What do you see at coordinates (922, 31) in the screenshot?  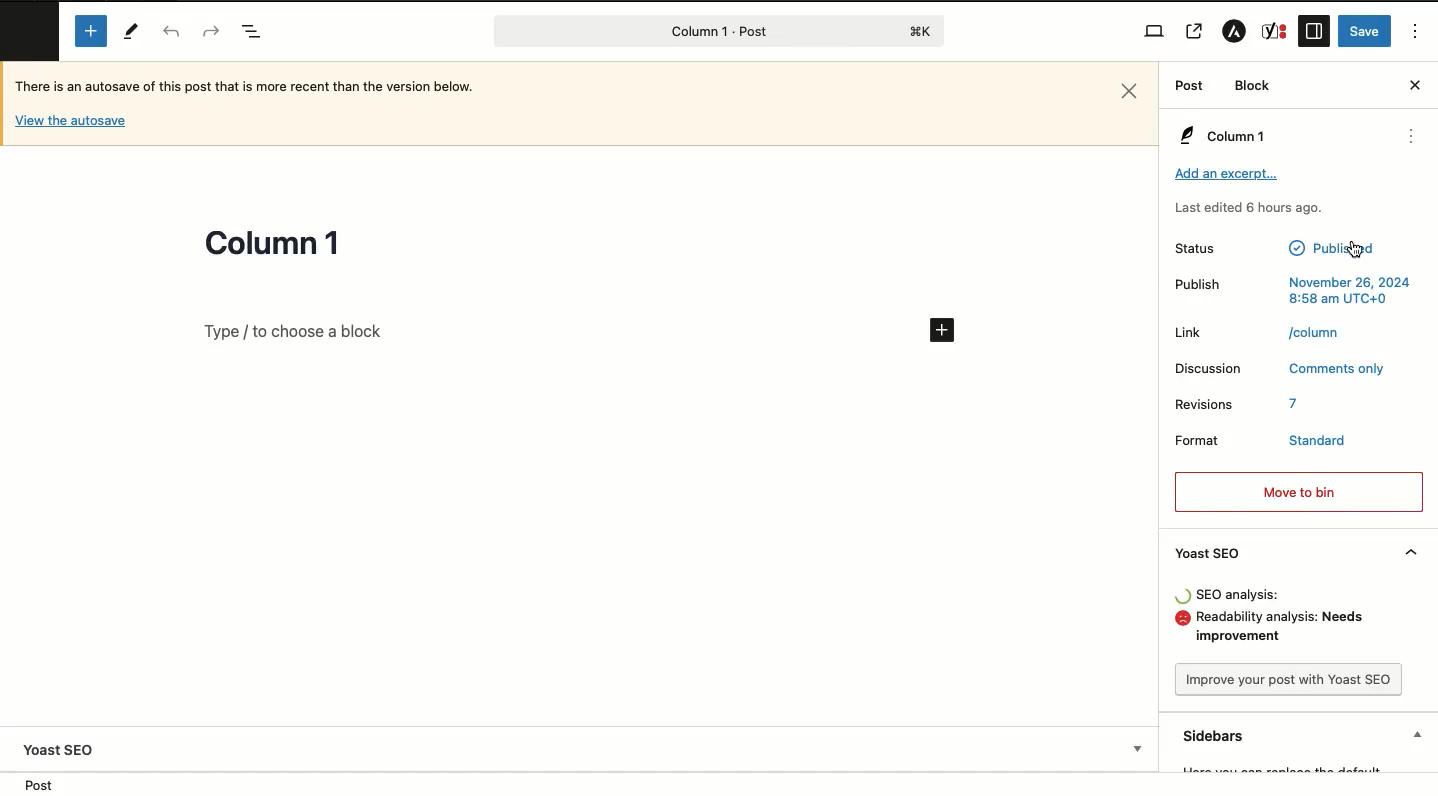 I see `command+K` at bounding box center [922, 31].